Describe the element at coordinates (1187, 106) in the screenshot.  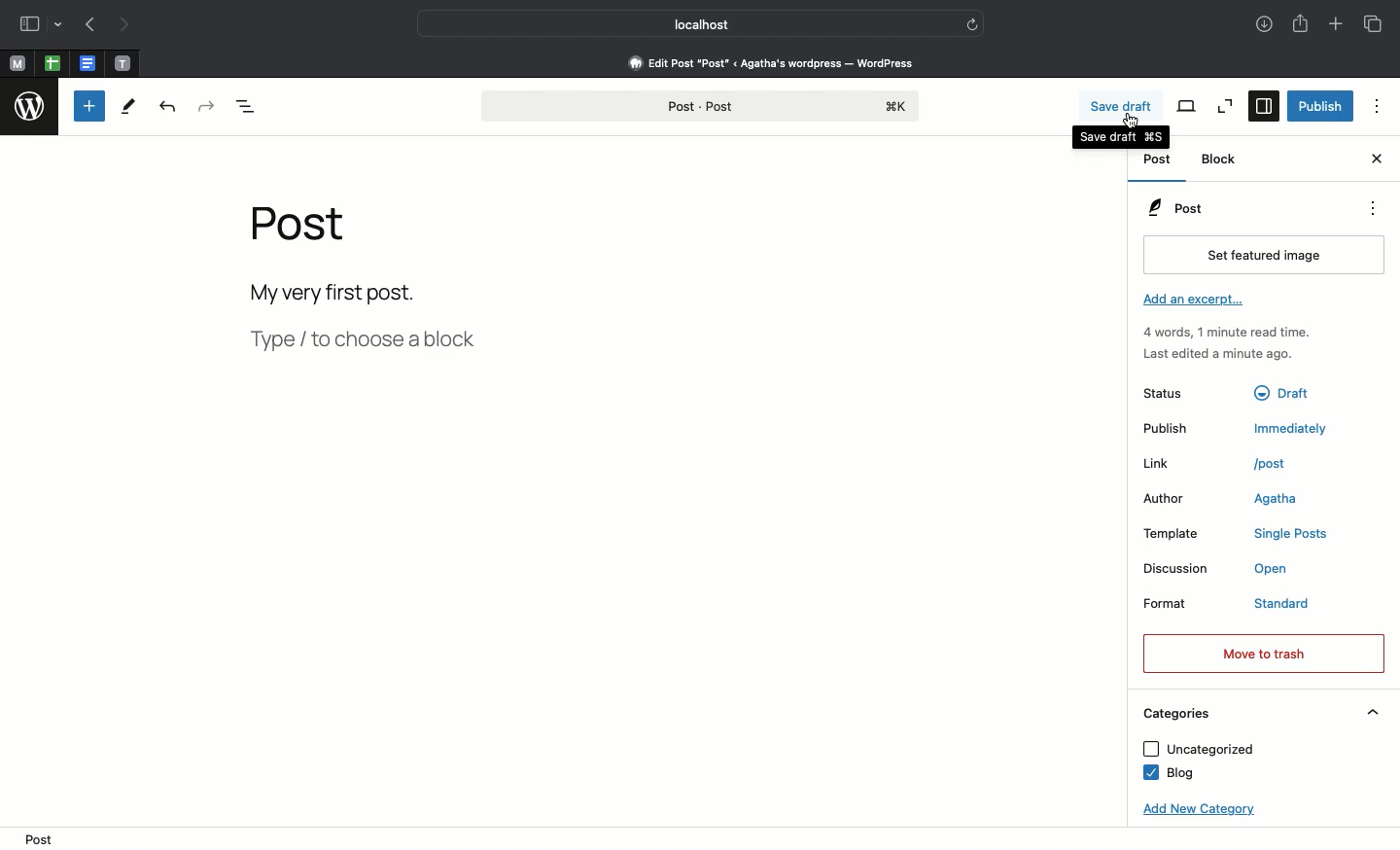
I see `View` at that location.